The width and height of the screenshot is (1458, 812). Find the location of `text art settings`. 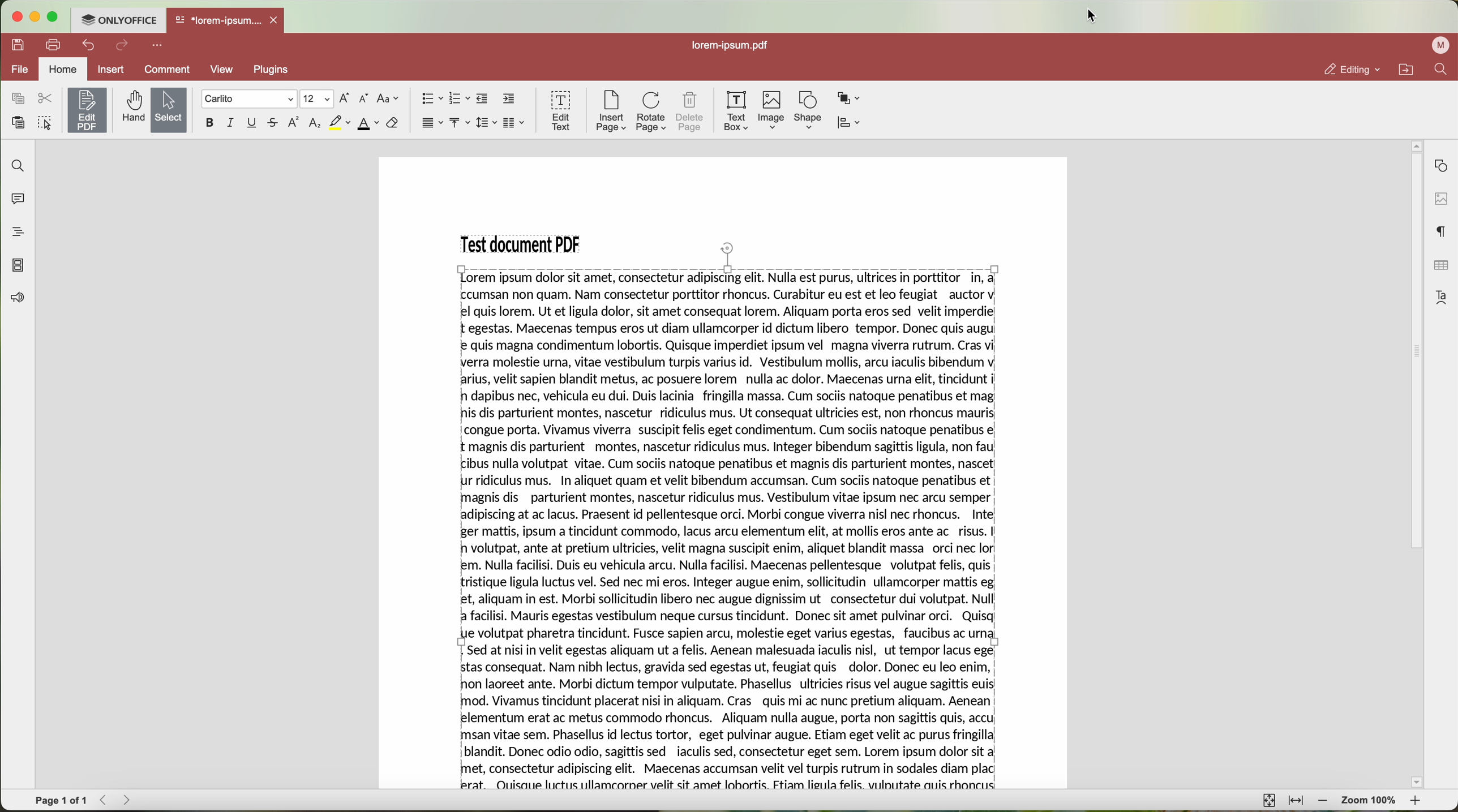

text art settings is located at coordinates (1440, 298).